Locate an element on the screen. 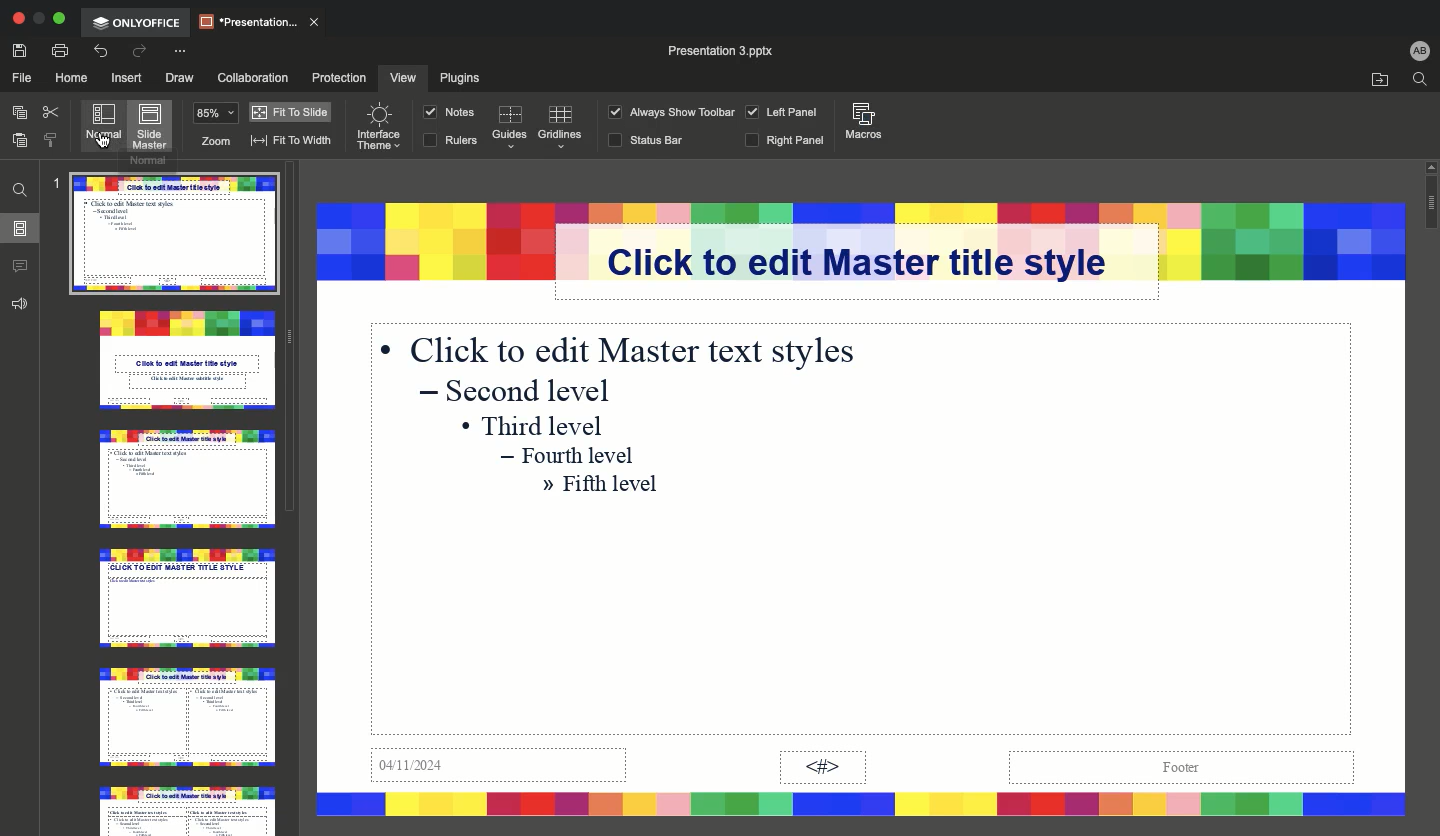  «+ Fifth level is located at coordinates (604, 487).